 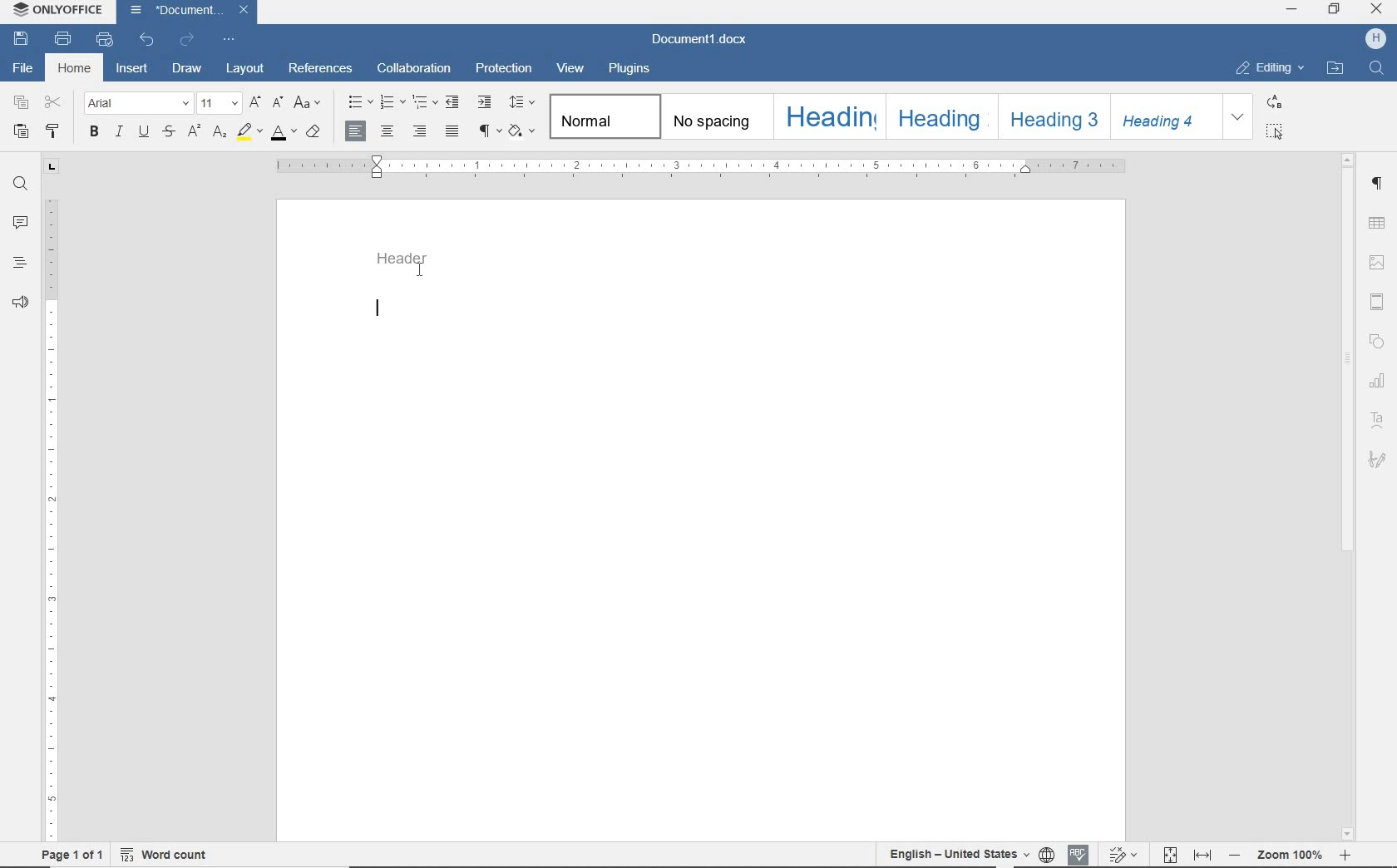 What do you see at coordinates (1335, 68) in the screenshot?
I see `OPEN FILE LOCATION` at bounding box center [1335, 68].